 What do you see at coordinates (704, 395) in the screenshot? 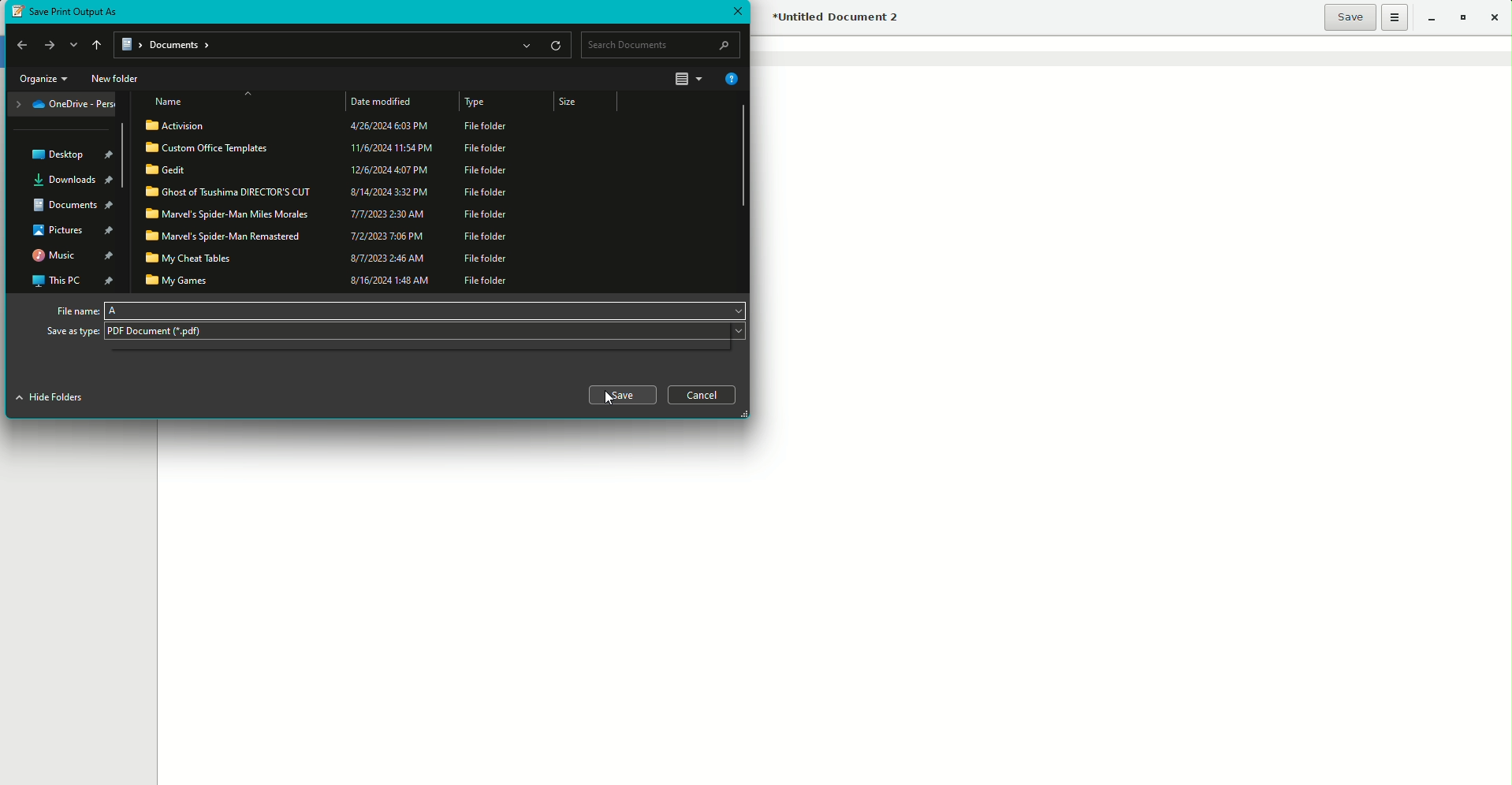
I see `Cancel` at bounding box center [704, 395].